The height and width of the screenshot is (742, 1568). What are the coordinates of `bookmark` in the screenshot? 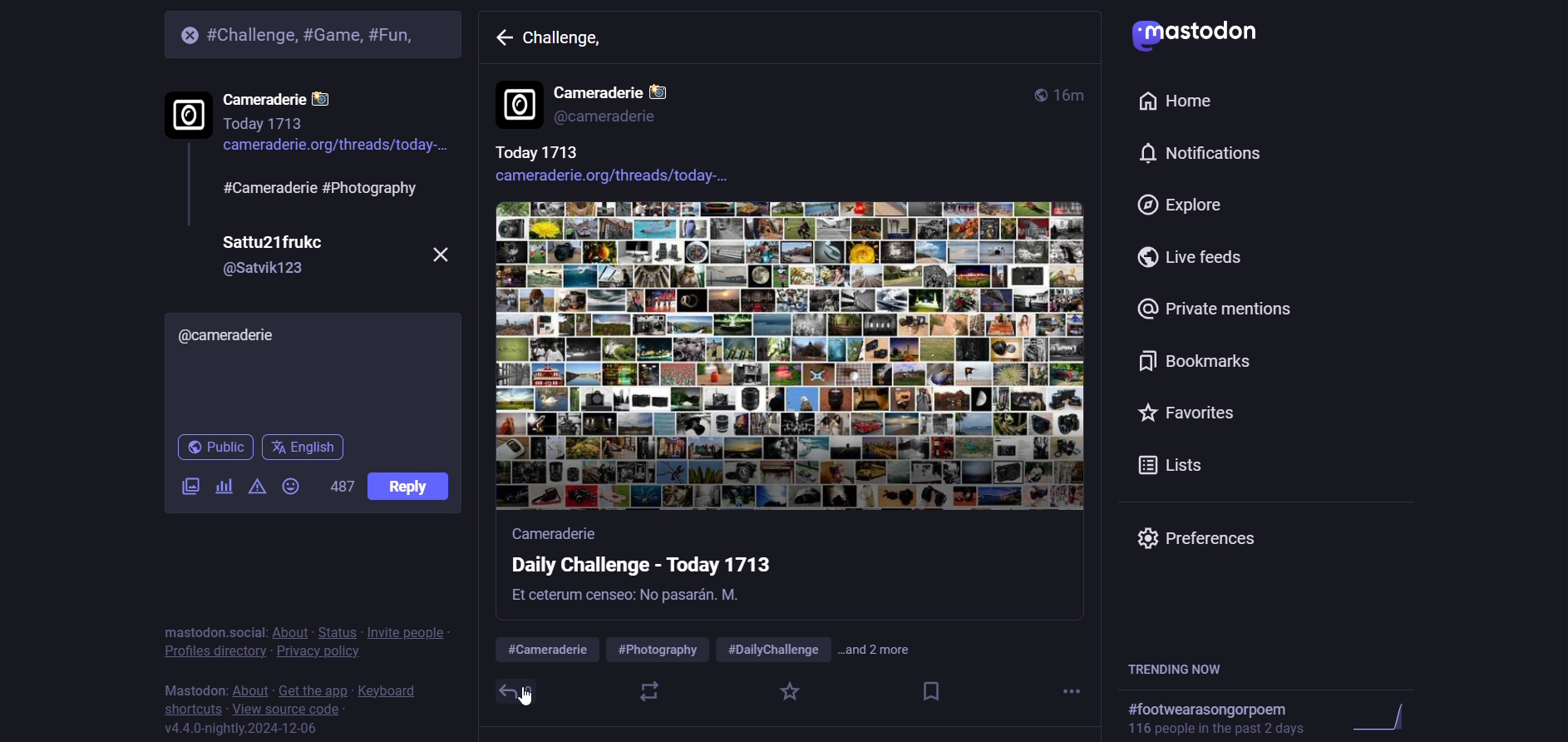 It's located at (1193, 362).